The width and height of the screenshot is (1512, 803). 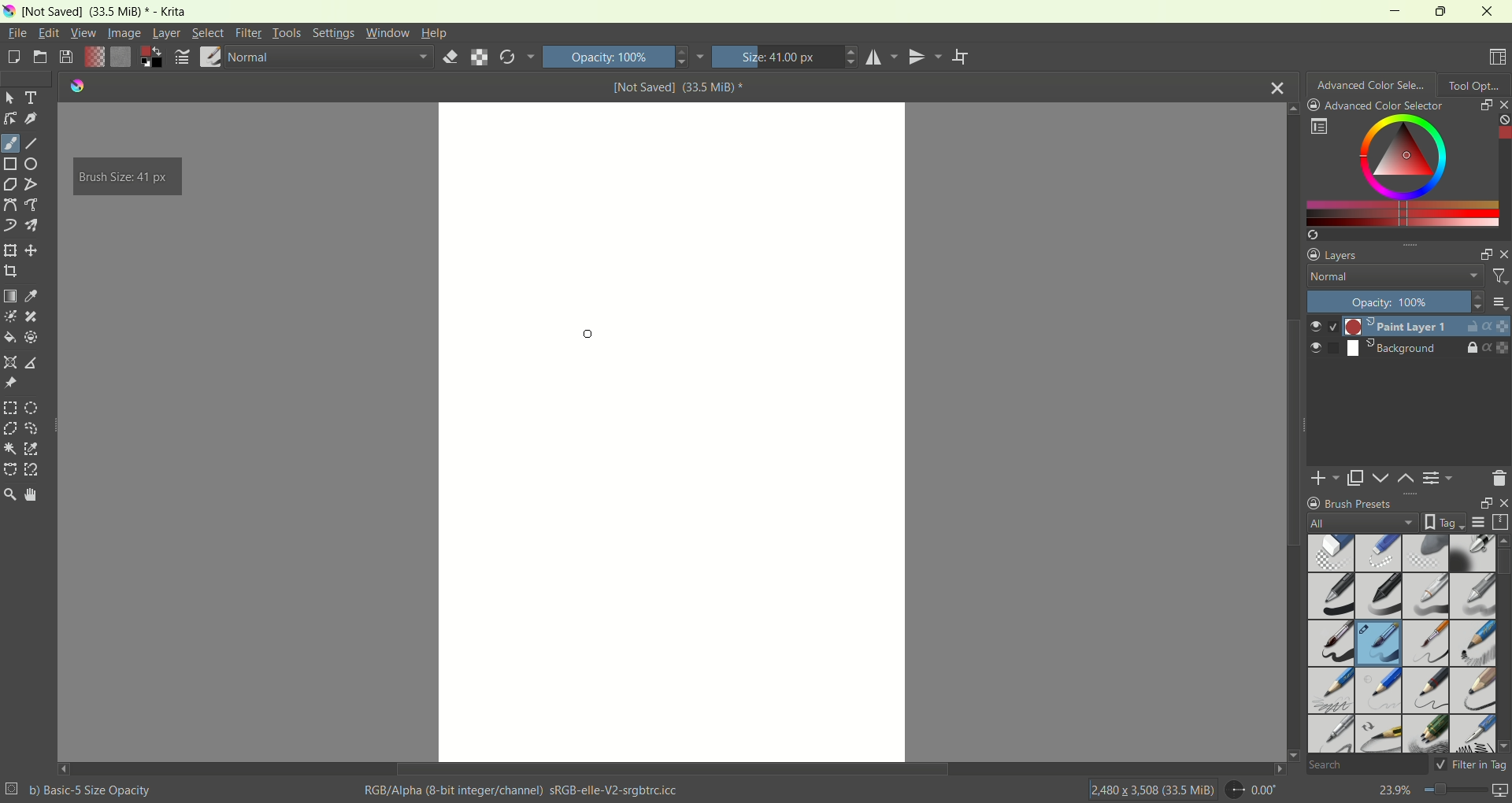 I want to click on pencil 1, so click(x=1472, y=642).